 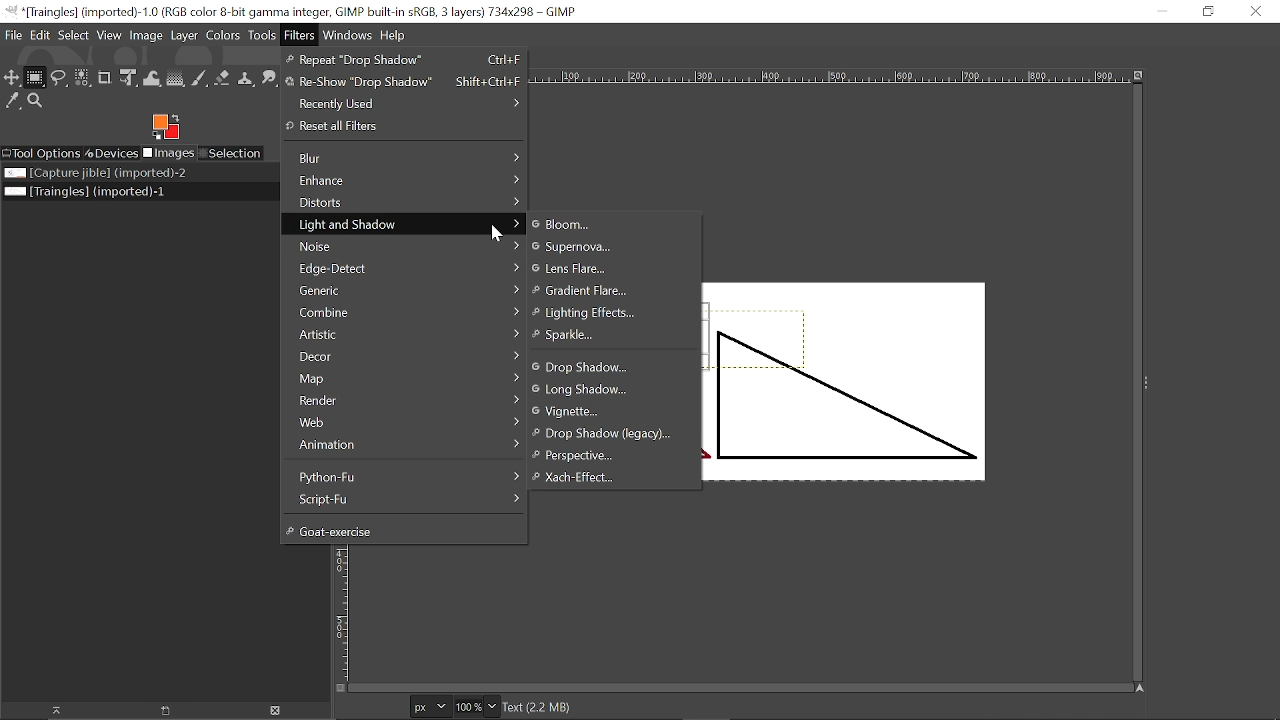 I want to click on Text (2.2 MB), so click(x=688, y=707).